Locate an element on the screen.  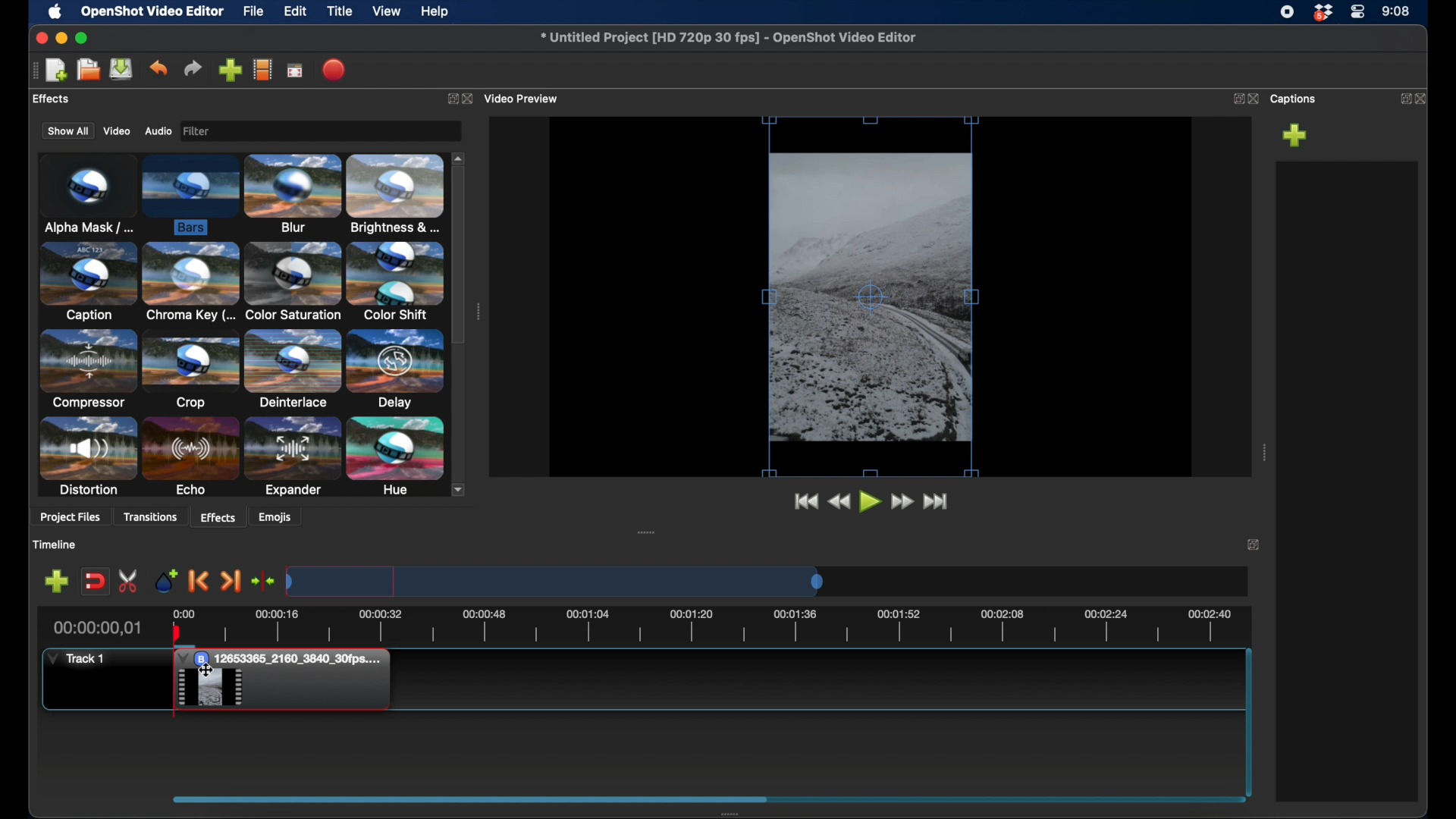
show all is located at coordinates (66, 132).